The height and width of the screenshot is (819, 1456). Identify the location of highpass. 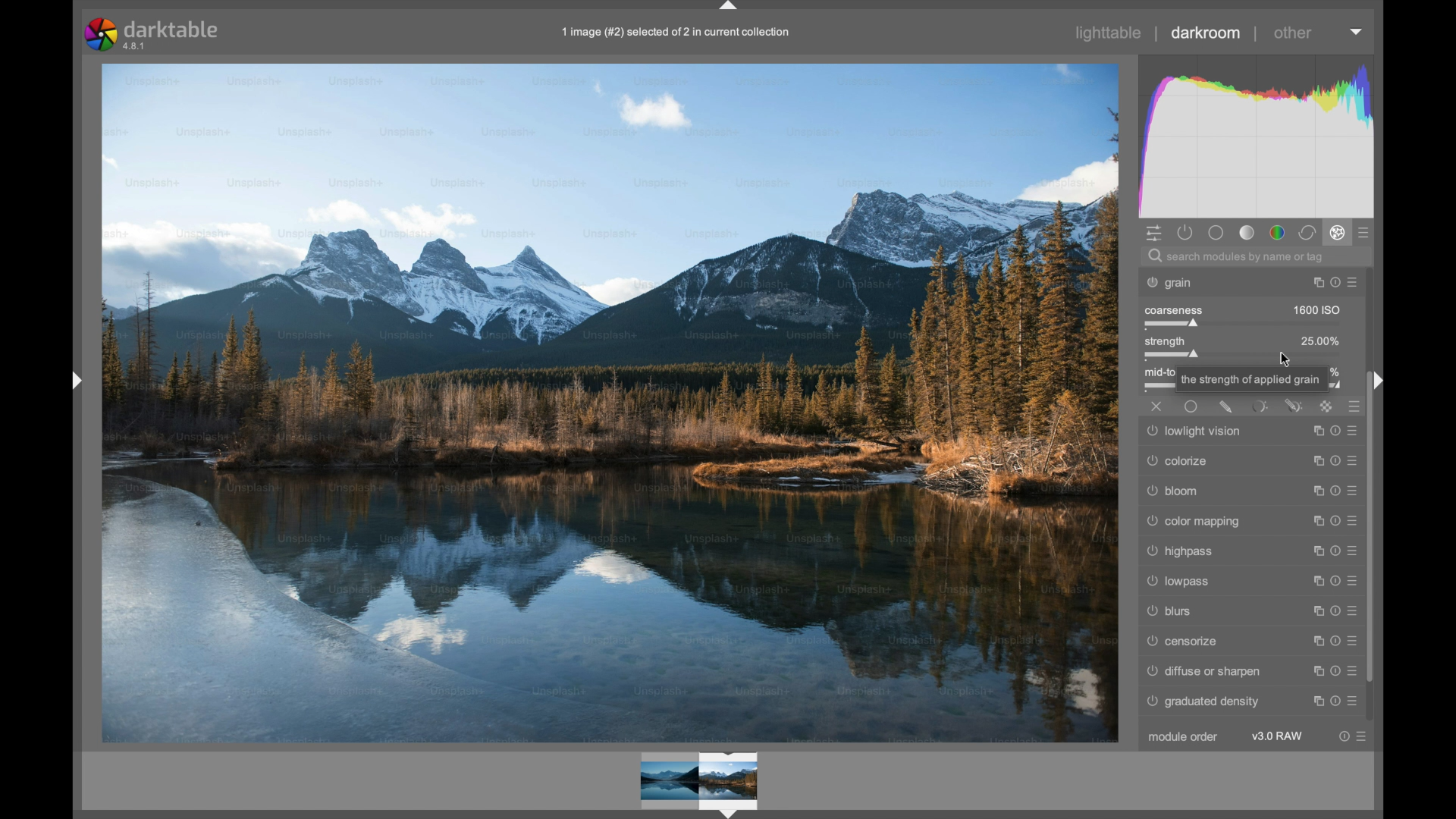
(1185, 554).